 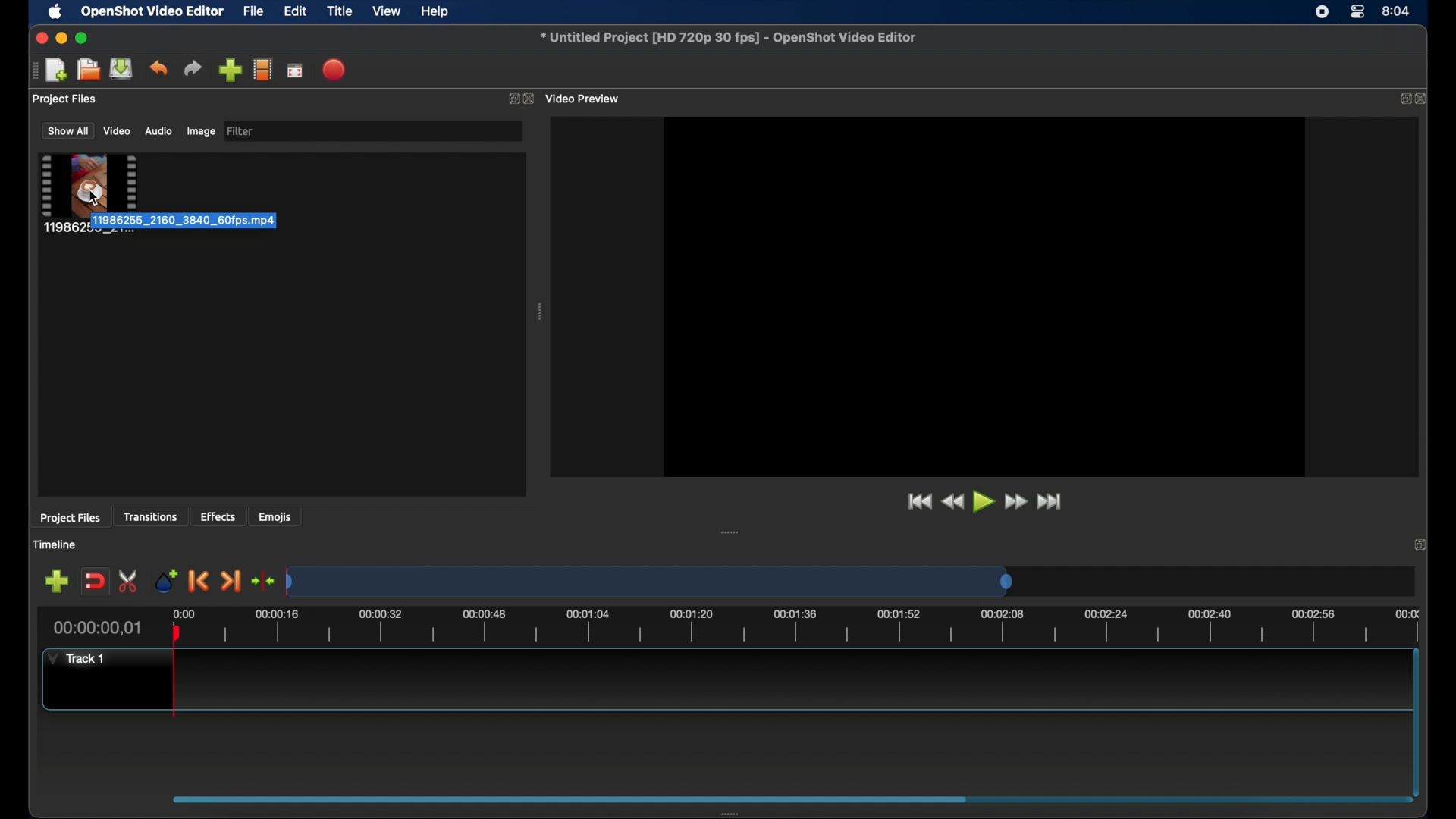 What do you see at coordinates (159, 68) in the screenshot?
I see `undo` at bounding box center [159, 68].